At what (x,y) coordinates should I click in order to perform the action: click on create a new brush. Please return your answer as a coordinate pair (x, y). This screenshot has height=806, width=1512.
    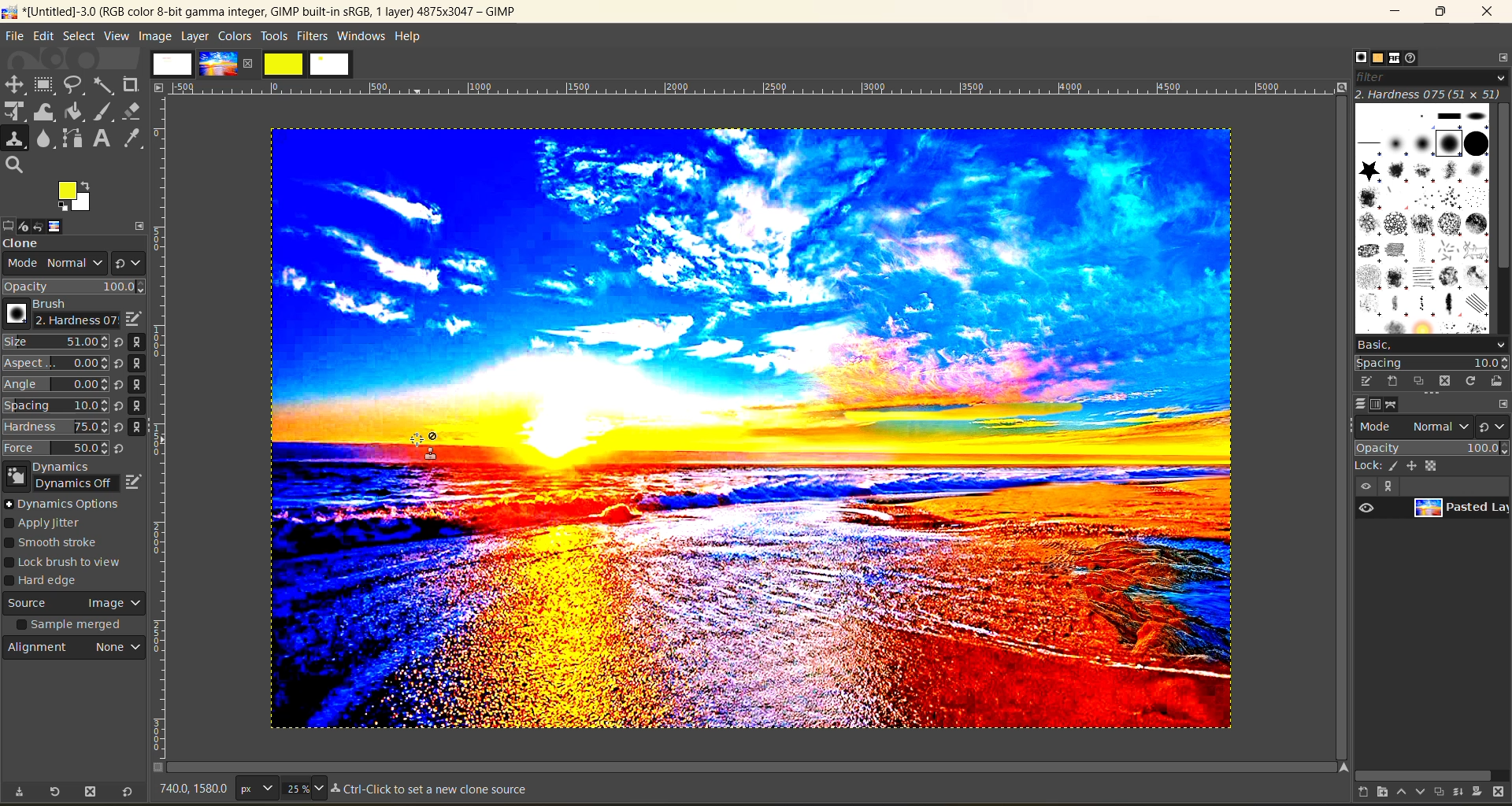
    Looking at the image, I should click on (1392, 382).